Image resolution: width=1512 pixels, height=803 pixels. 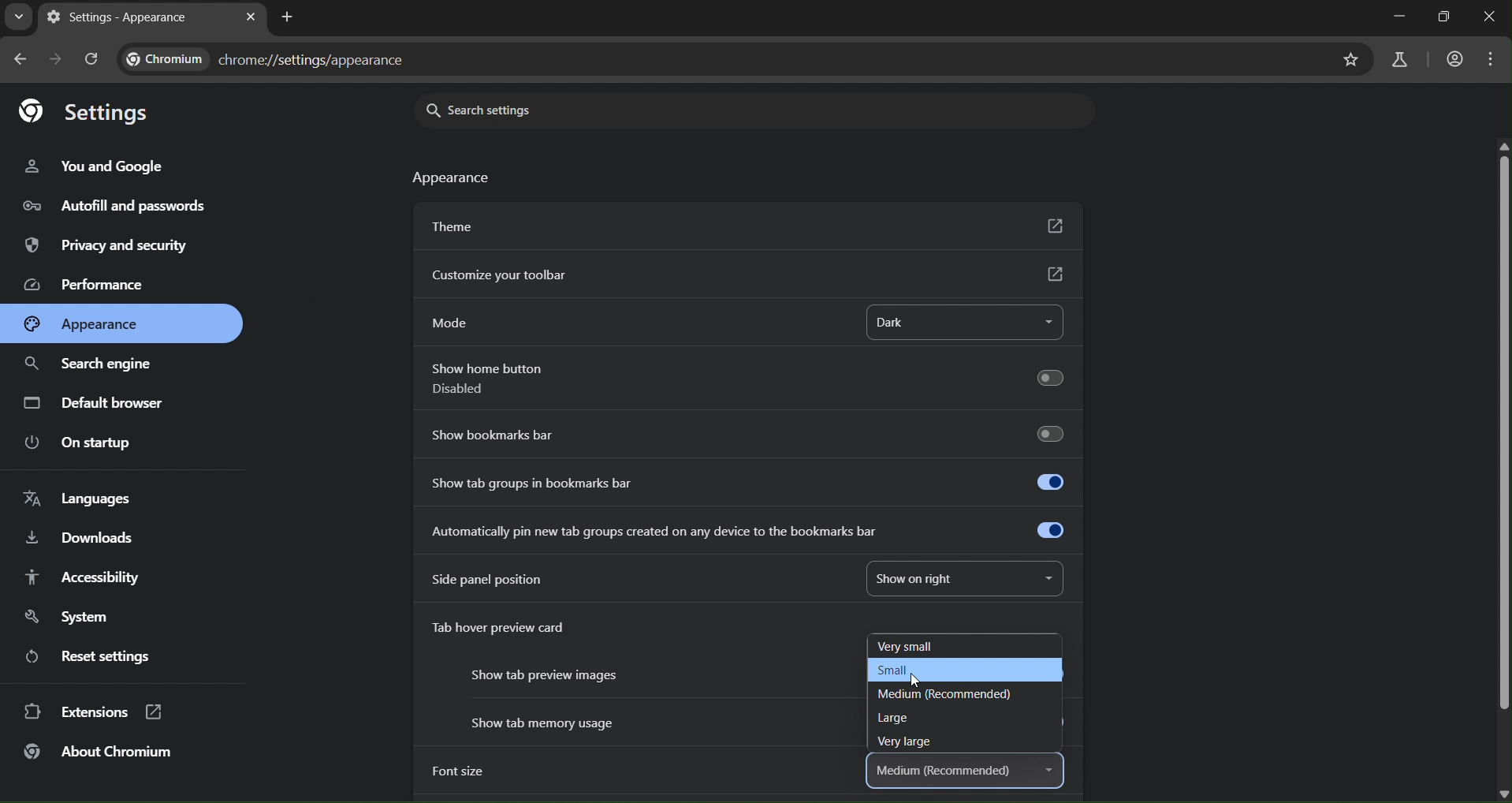 What do you see at coordinates (96, 323) in the screenshot?
I see `appearance` at bounding box center [96, 323].